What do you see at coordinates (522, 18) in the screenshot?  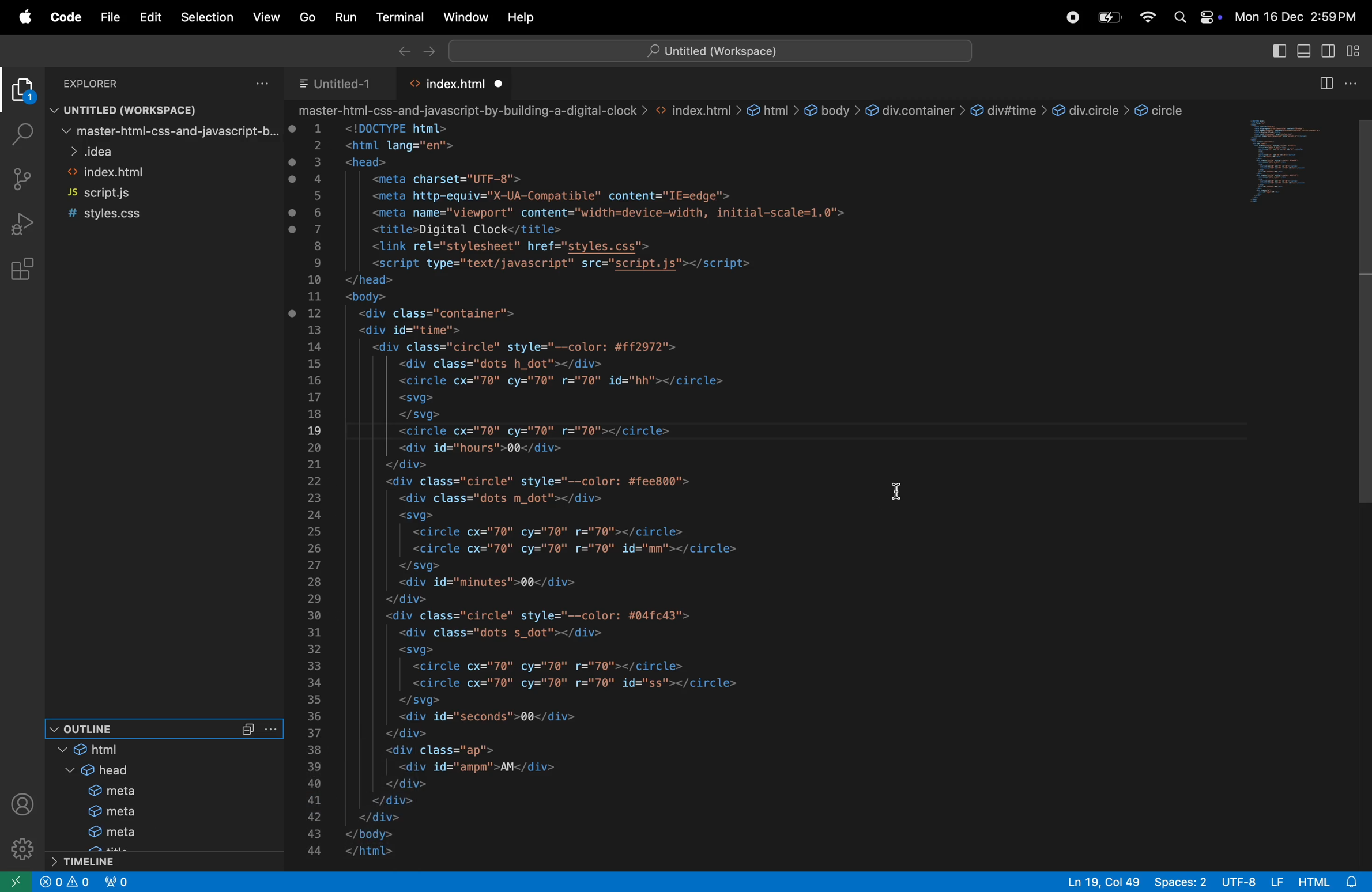 I see `help` at bounding box center [522, 18].